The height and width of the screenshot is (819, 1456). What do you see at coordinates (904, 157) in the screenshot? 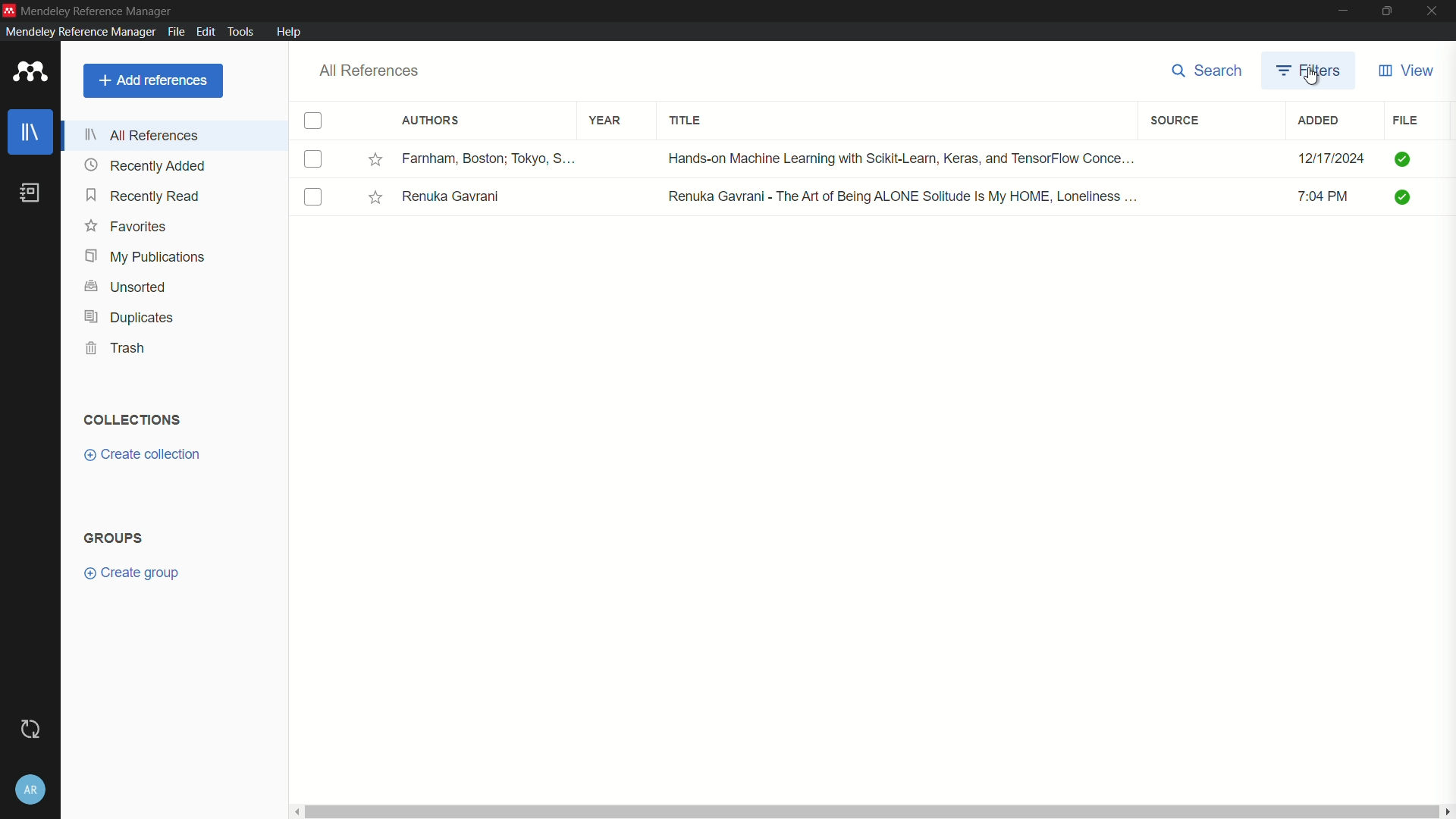
I see `Hands-on Machine Learning with Scikit-Learn, Keras, and TensorFlow Conce...` at bounding box center [904, 157].